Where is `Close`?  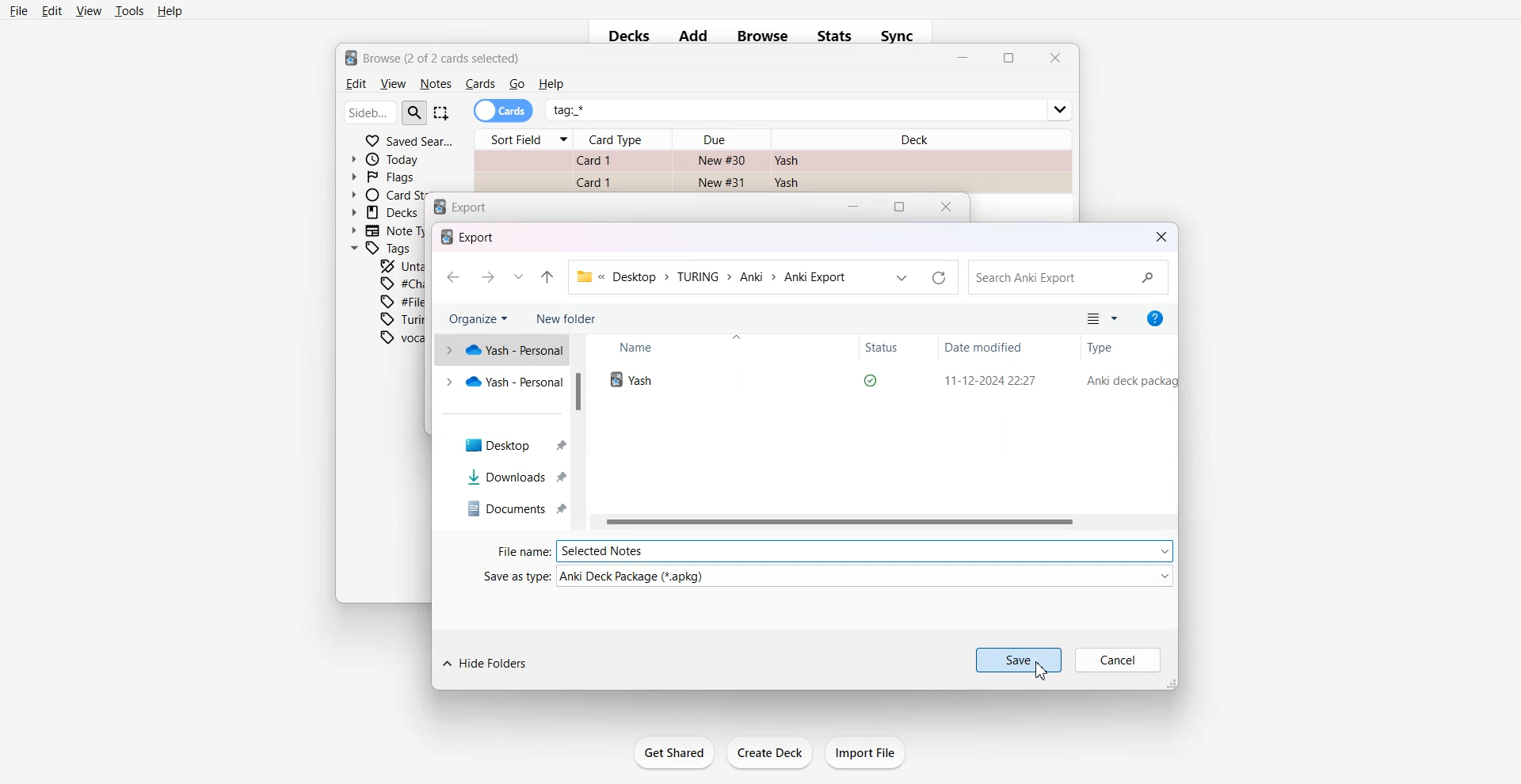
Close is located at coordinates (947, 205).